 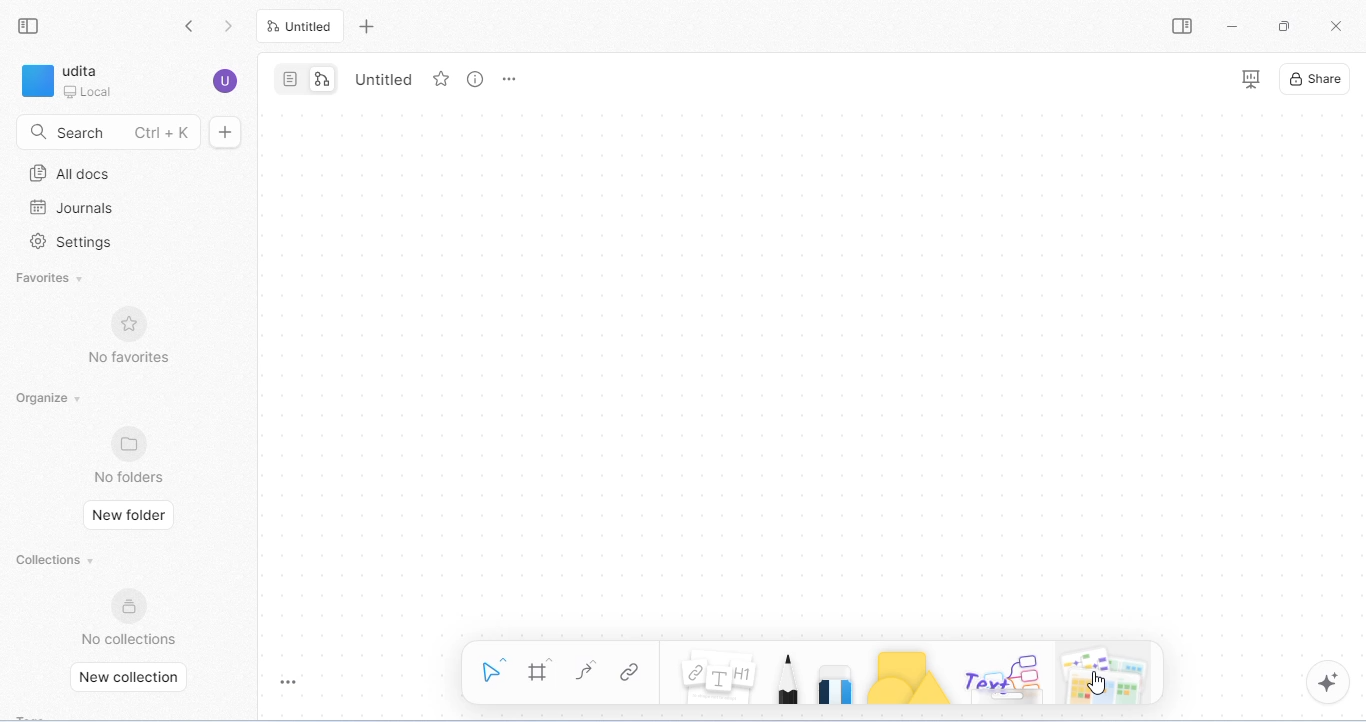 I want to click on curve, so click(x=589, y=671).